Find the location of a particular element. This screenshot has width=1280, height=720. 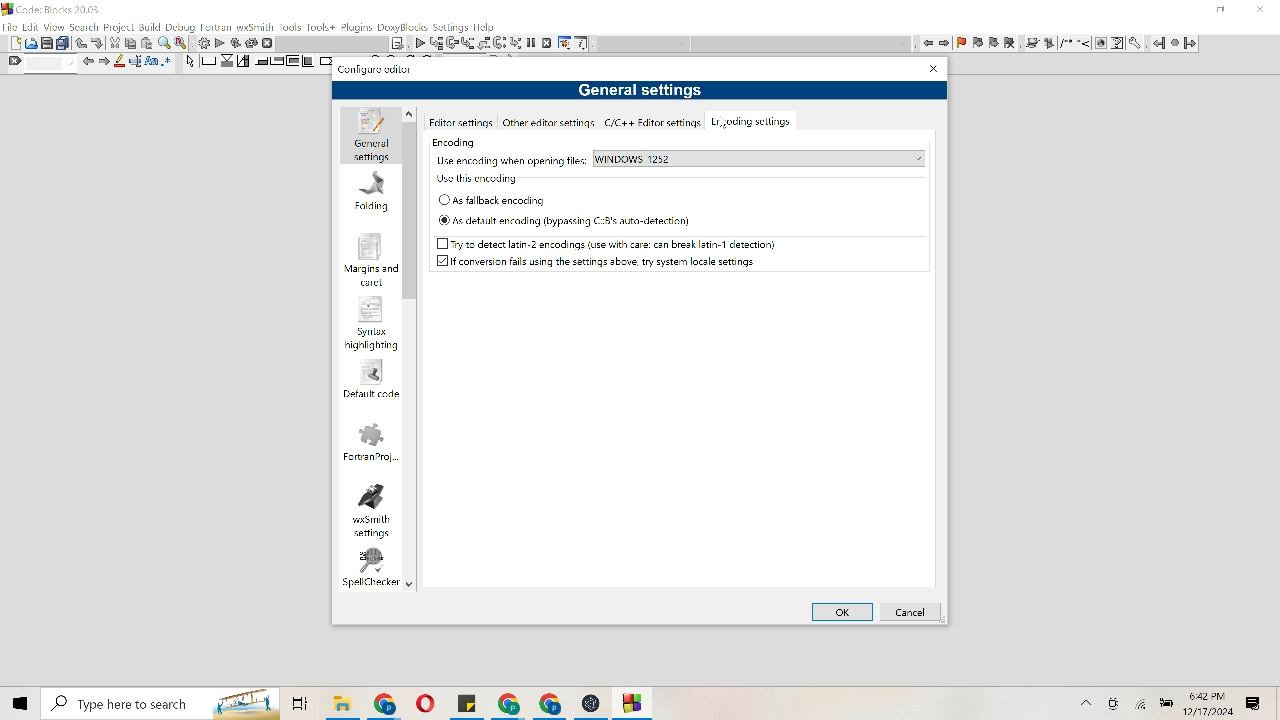

Pause is located at coordinates (1174, 44).